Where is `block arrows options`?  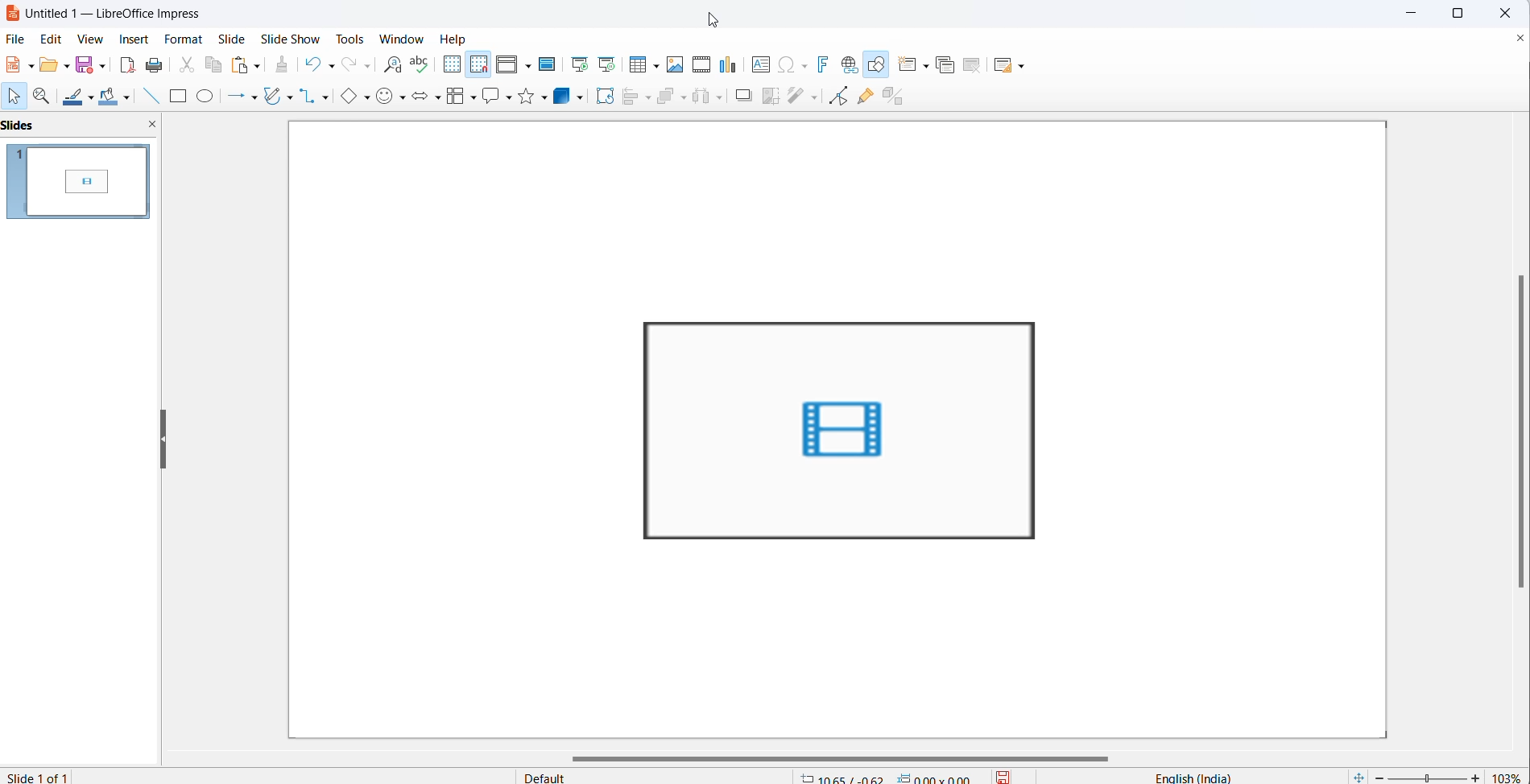
block arrows options is located at coordinates (439, 98).